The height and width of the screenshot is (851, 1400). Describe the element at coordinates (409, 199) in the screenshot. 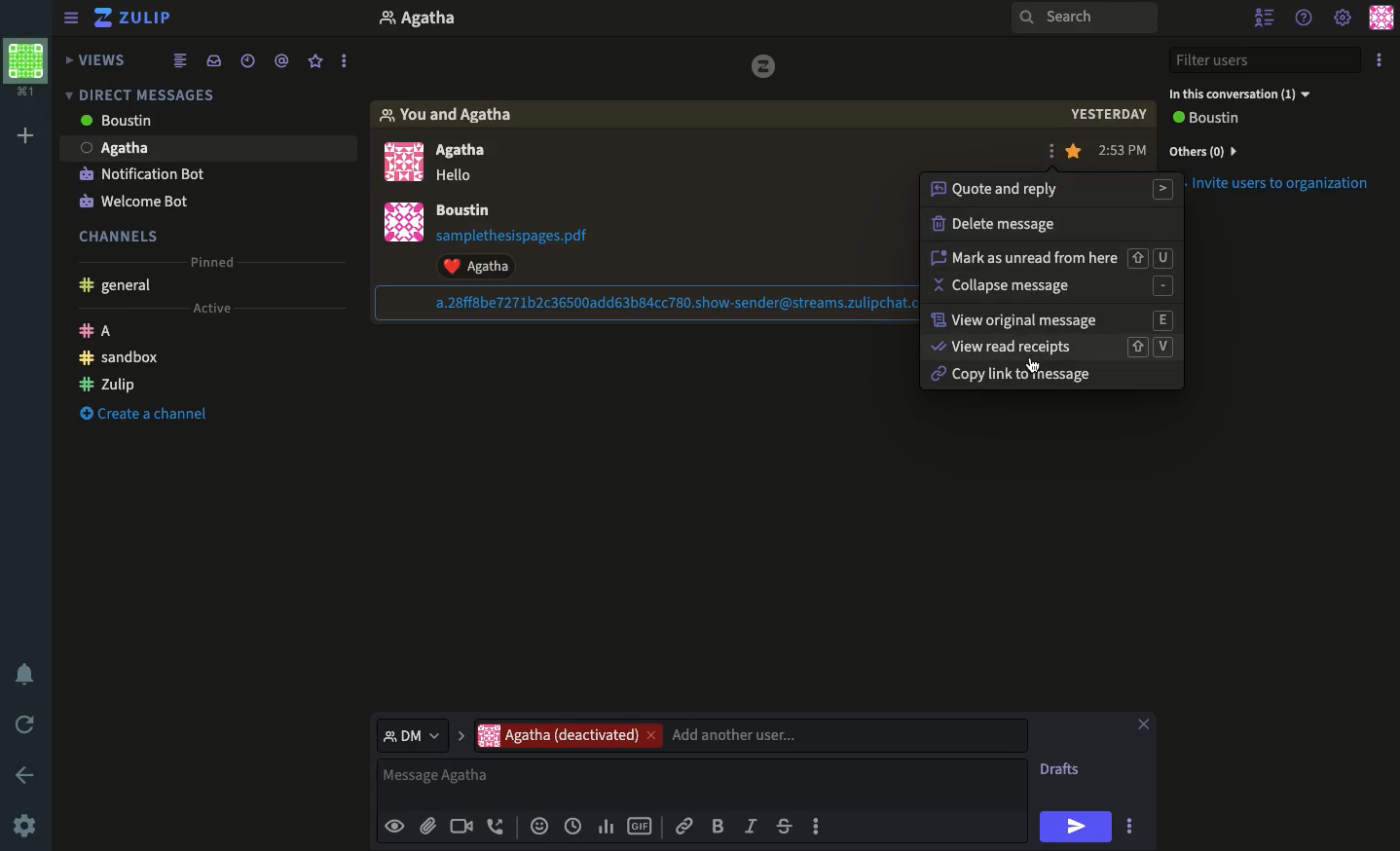

I see `Profile` at that location.